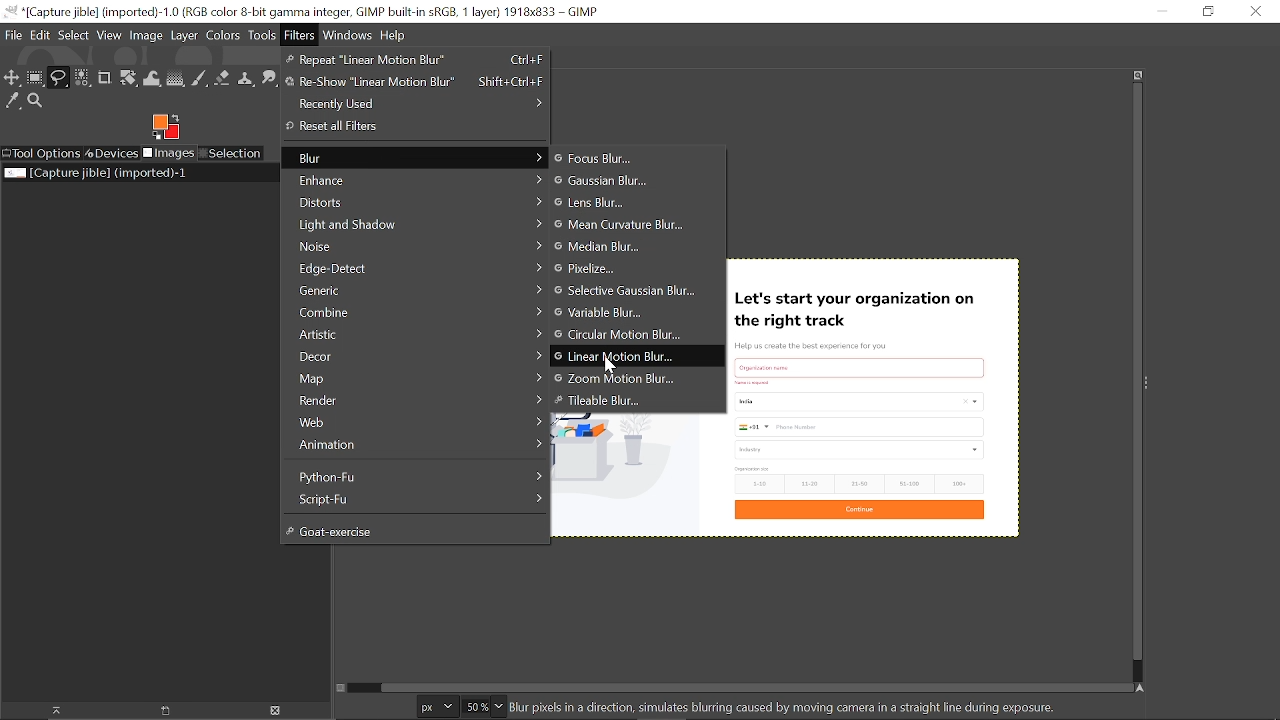  Describe the element at coordinates (394, 36) in the screenshot. I see `Help` at that location.